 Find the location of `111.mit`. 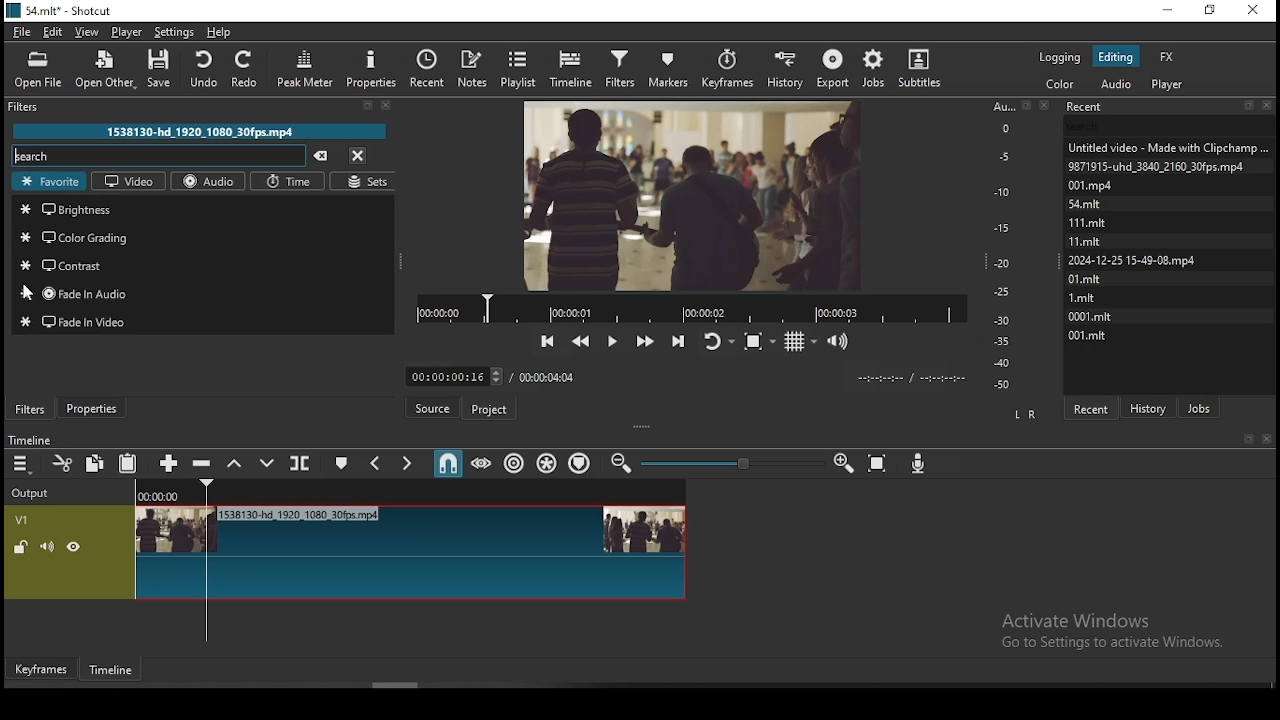

111.mit is located at coordinates (1100, 222).